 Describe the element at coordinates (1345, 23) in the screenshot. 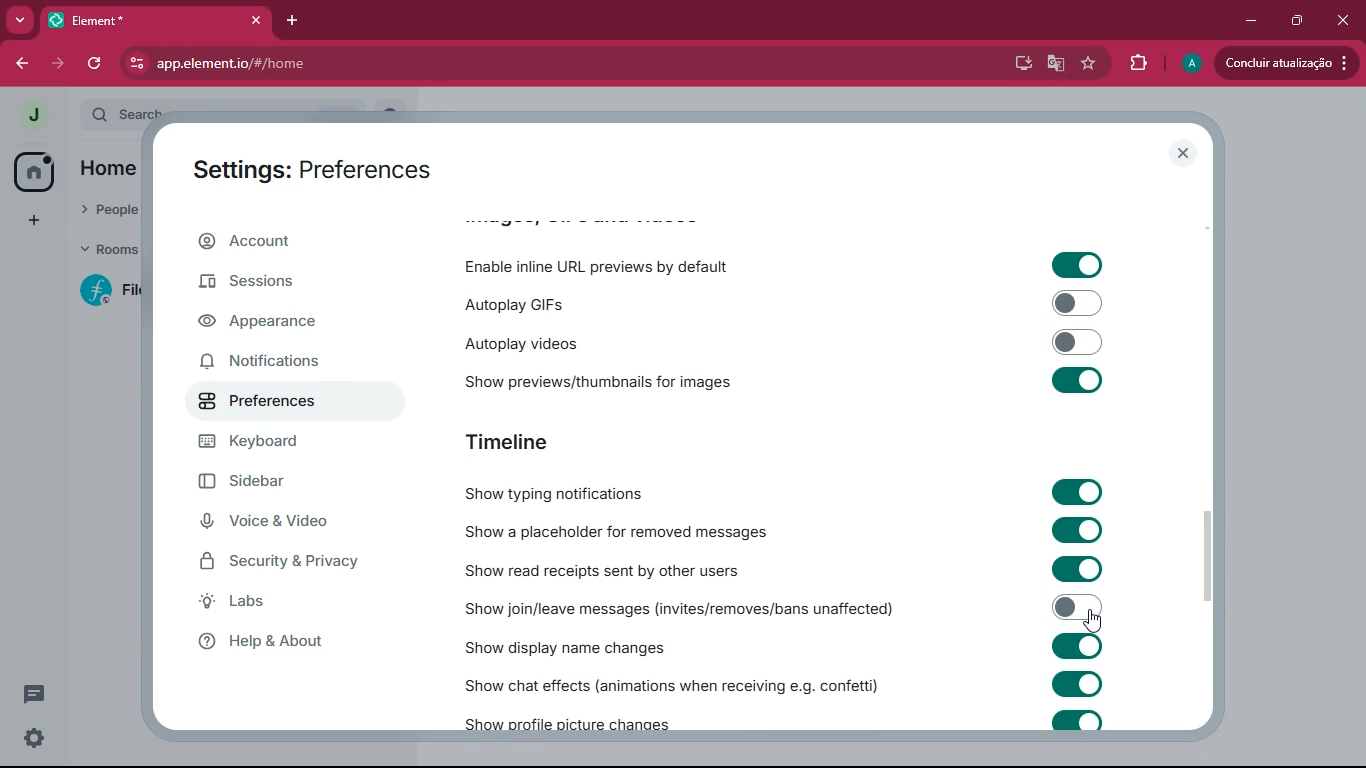

I see `close` at that location.